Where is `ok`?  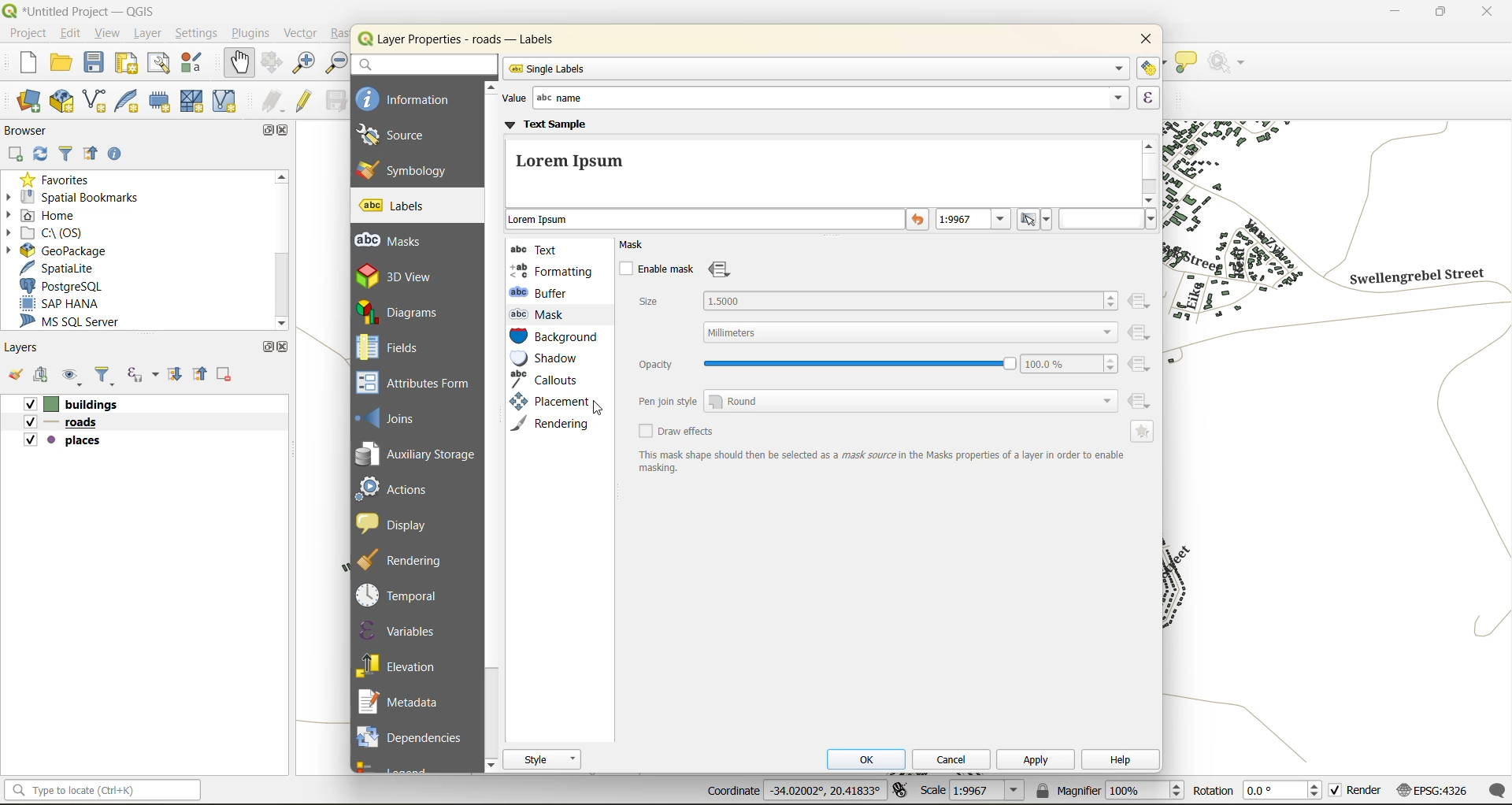 ok is located at coordinates (872, 761).